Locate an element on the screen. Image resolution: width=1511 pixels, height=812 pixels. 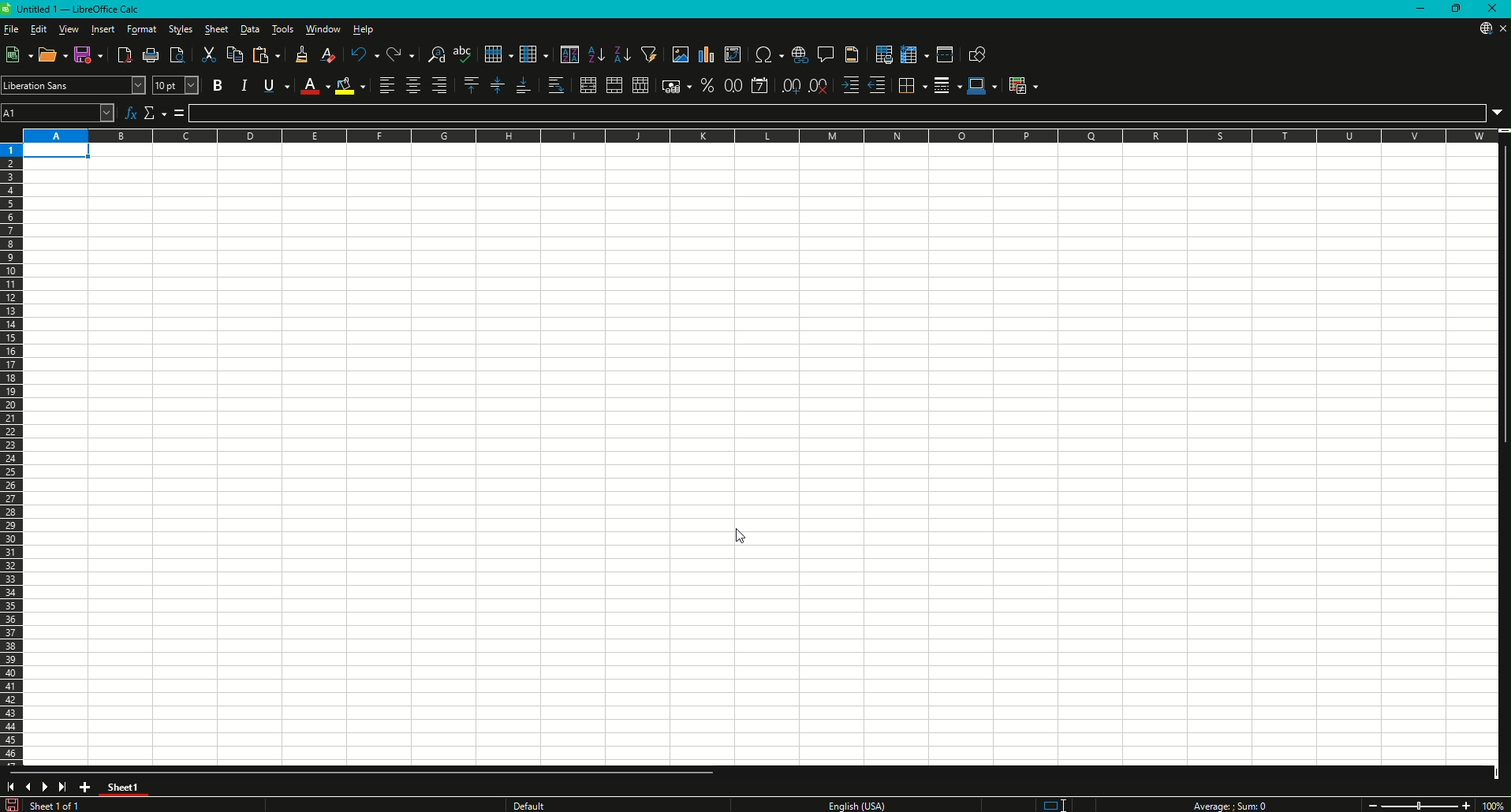
Clone Formatting is located at coordinates (304, 54).